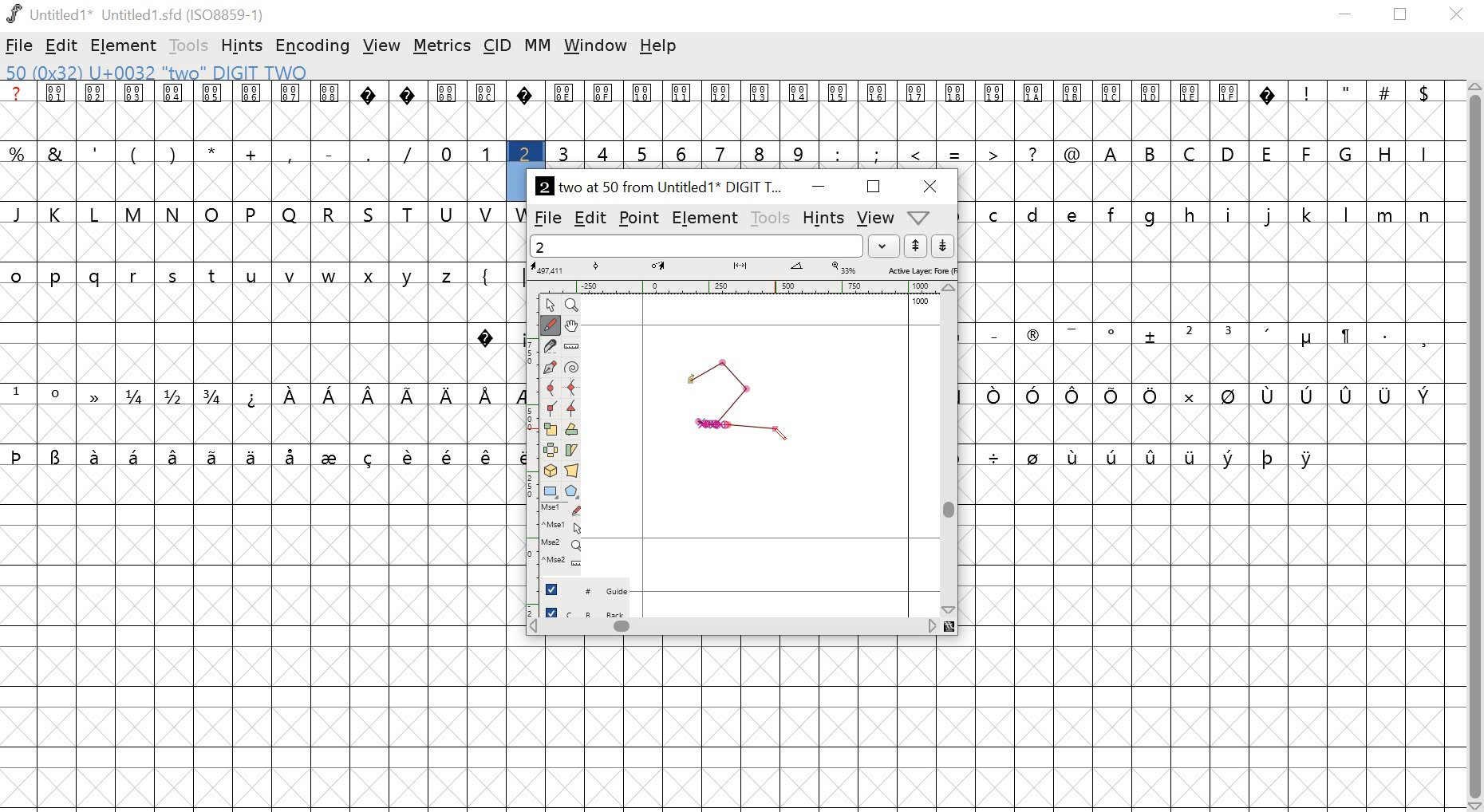 This screenshot has width=1484, height=812. I want to click on mouse left button, so click(565, 510).